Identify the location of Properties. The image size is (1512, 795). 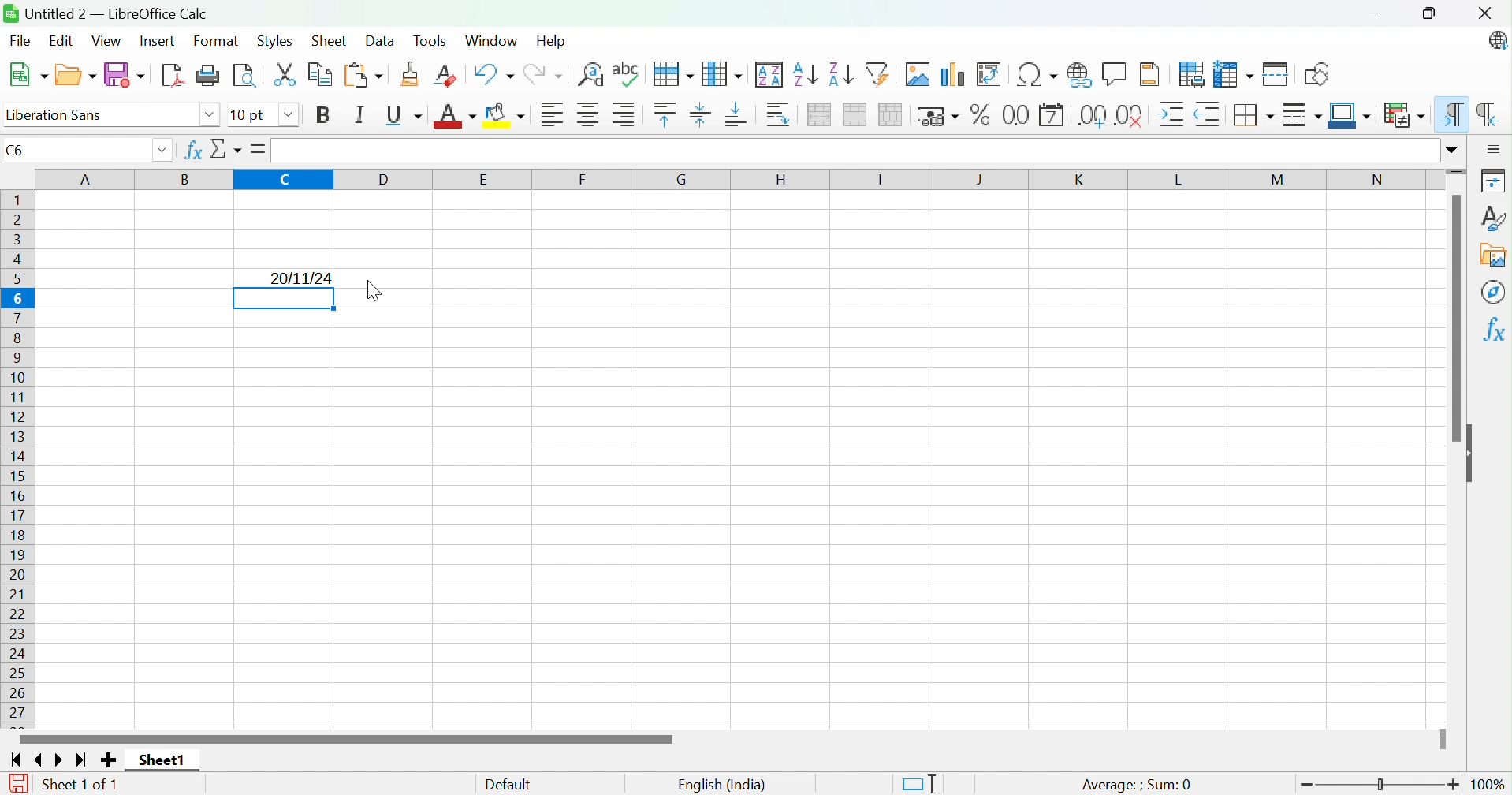
(1492, 179).